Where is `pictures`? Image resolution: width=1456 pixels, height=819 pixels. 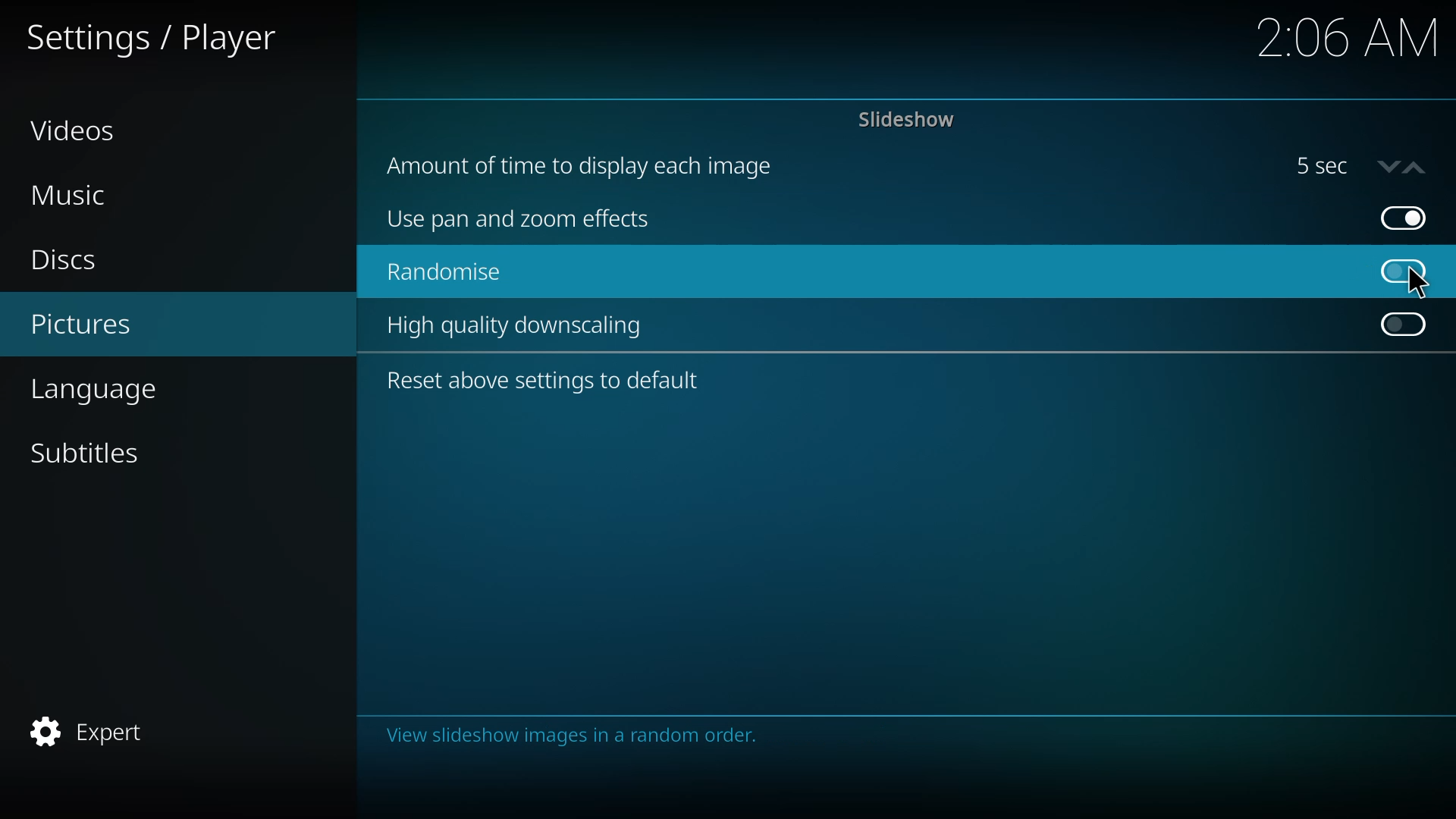
pictures is located at coordinates (80, 322).